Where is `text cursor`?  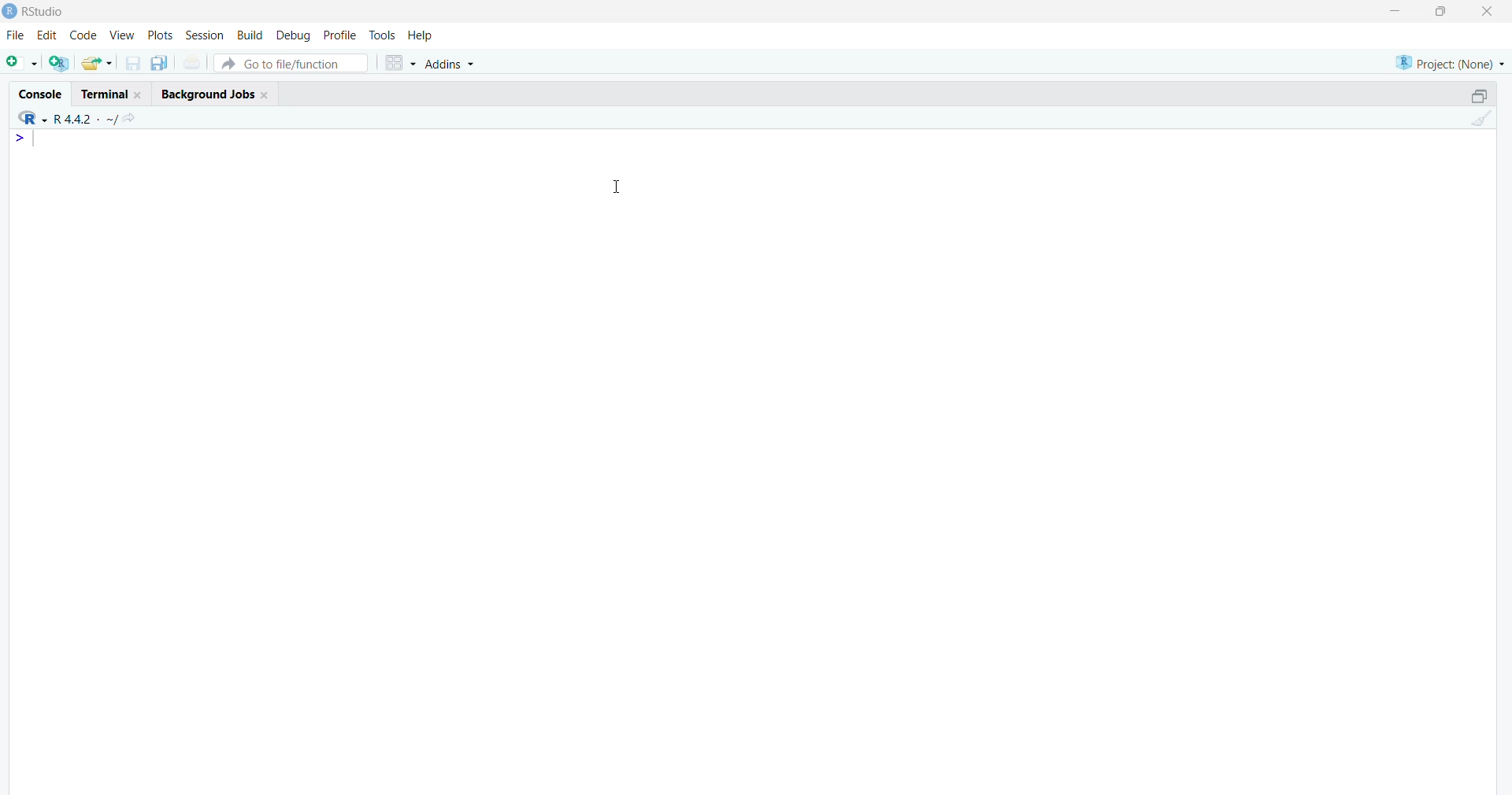
text cursor is located at coordinates (36, 142).